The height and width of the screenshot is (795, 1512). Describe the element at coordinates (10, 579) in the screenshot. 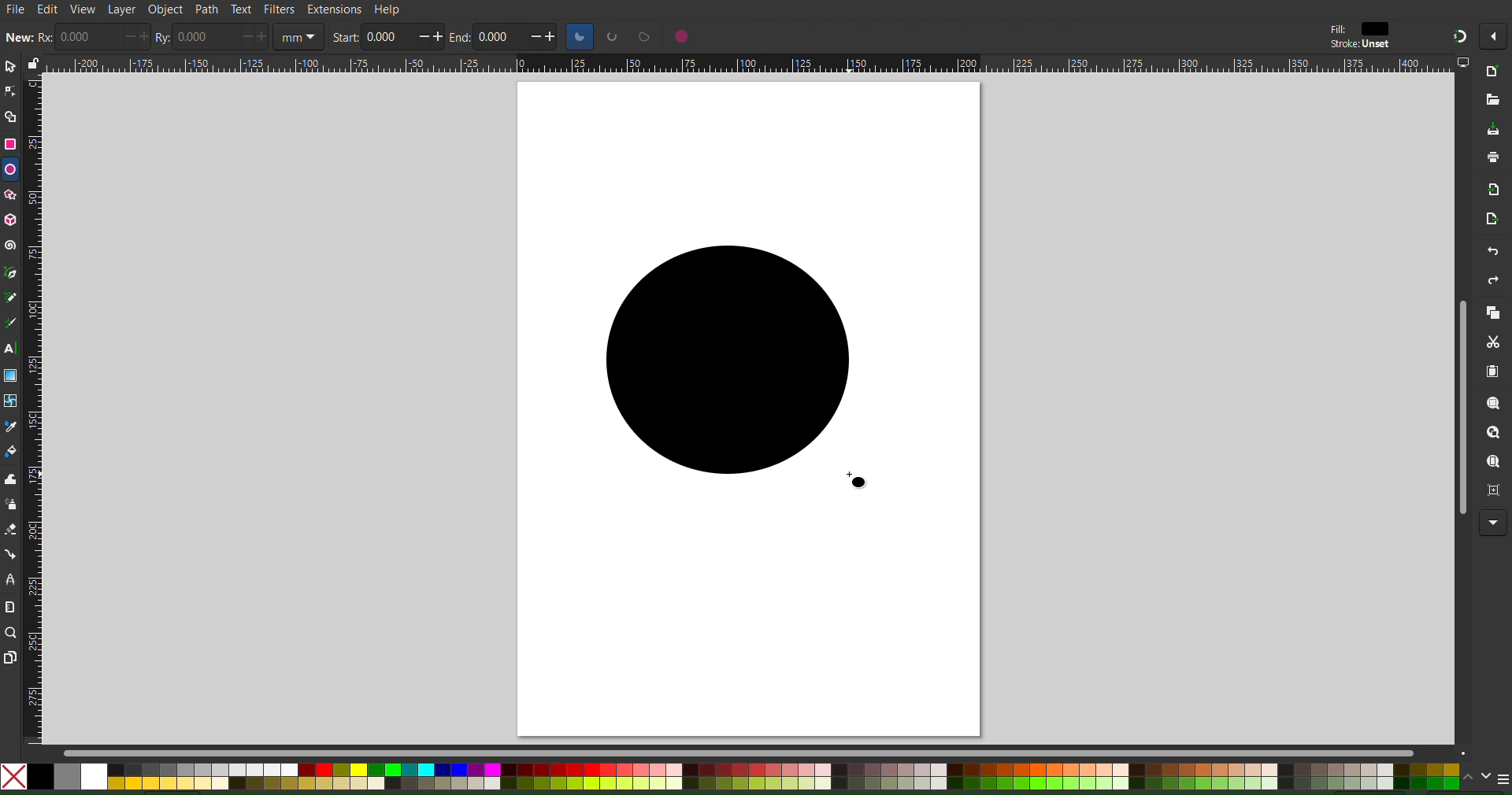

I see `LPE Tool` at that location.